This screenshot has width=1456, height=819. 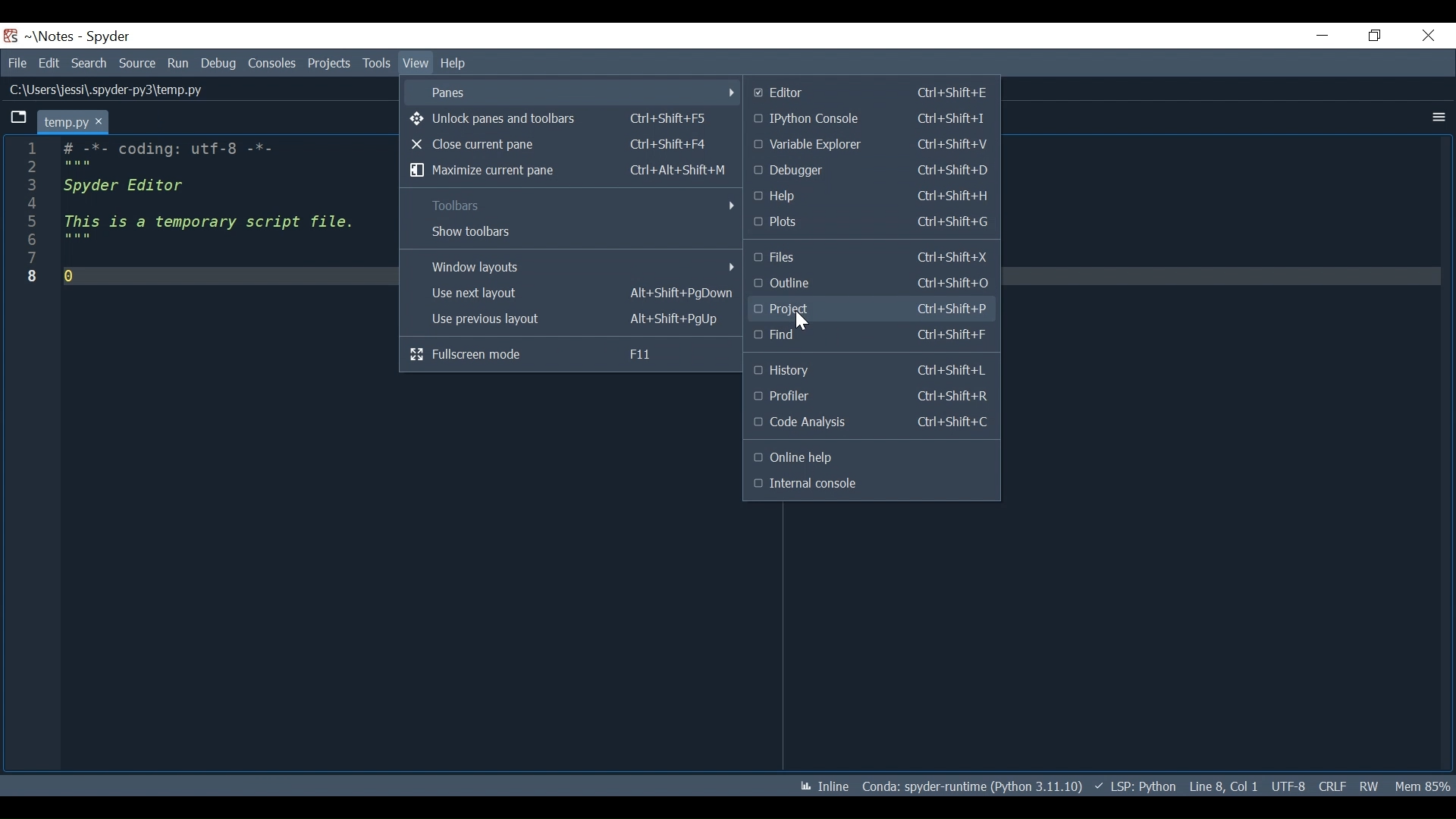 What do you see at coordinates (1330, 786) in the screenshot?
I see `CRLF` at bounding box center [1330, 786].